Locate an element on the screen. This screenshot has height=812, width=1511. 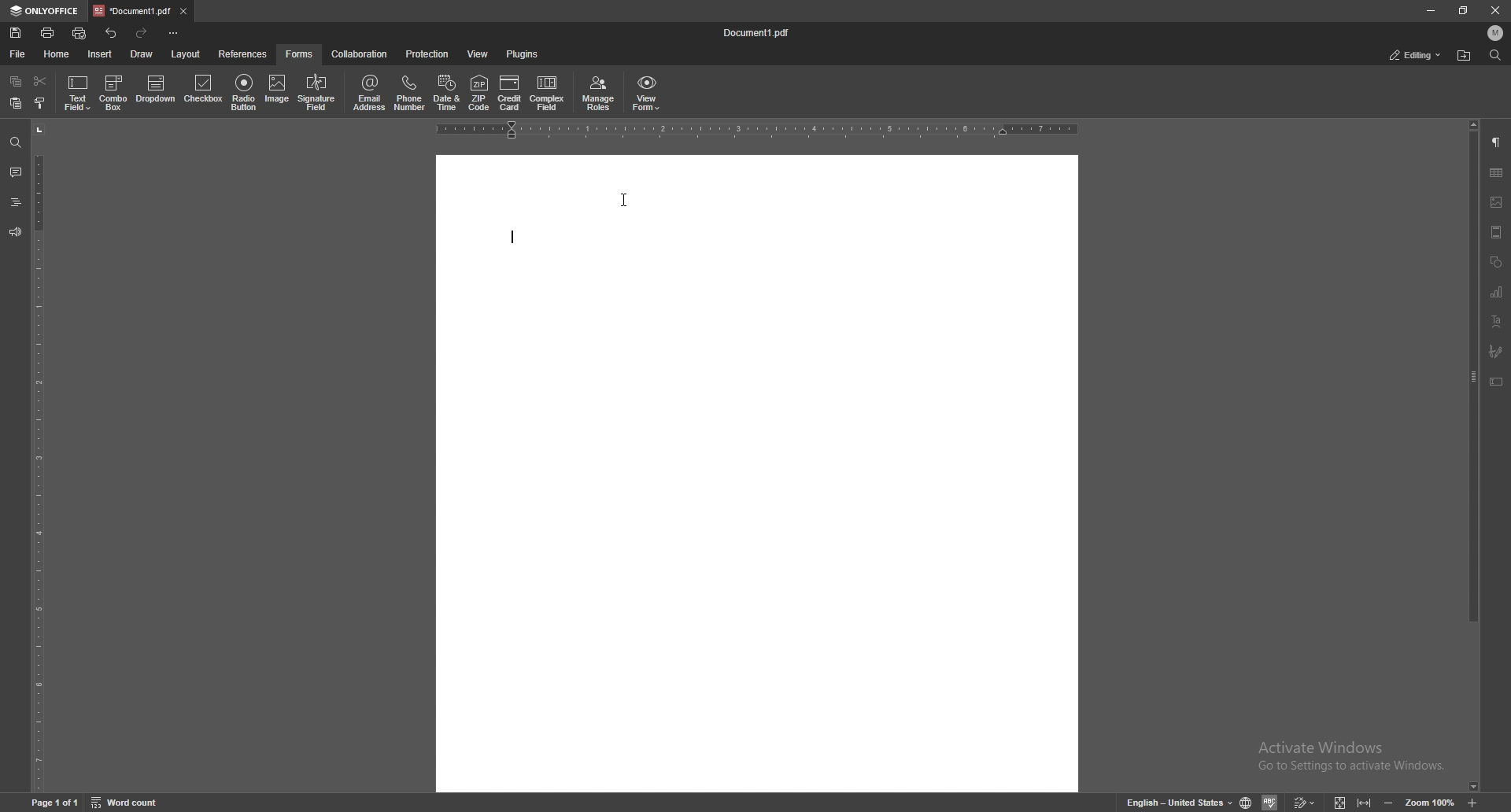
copy style is located at coordinates (41, 104).